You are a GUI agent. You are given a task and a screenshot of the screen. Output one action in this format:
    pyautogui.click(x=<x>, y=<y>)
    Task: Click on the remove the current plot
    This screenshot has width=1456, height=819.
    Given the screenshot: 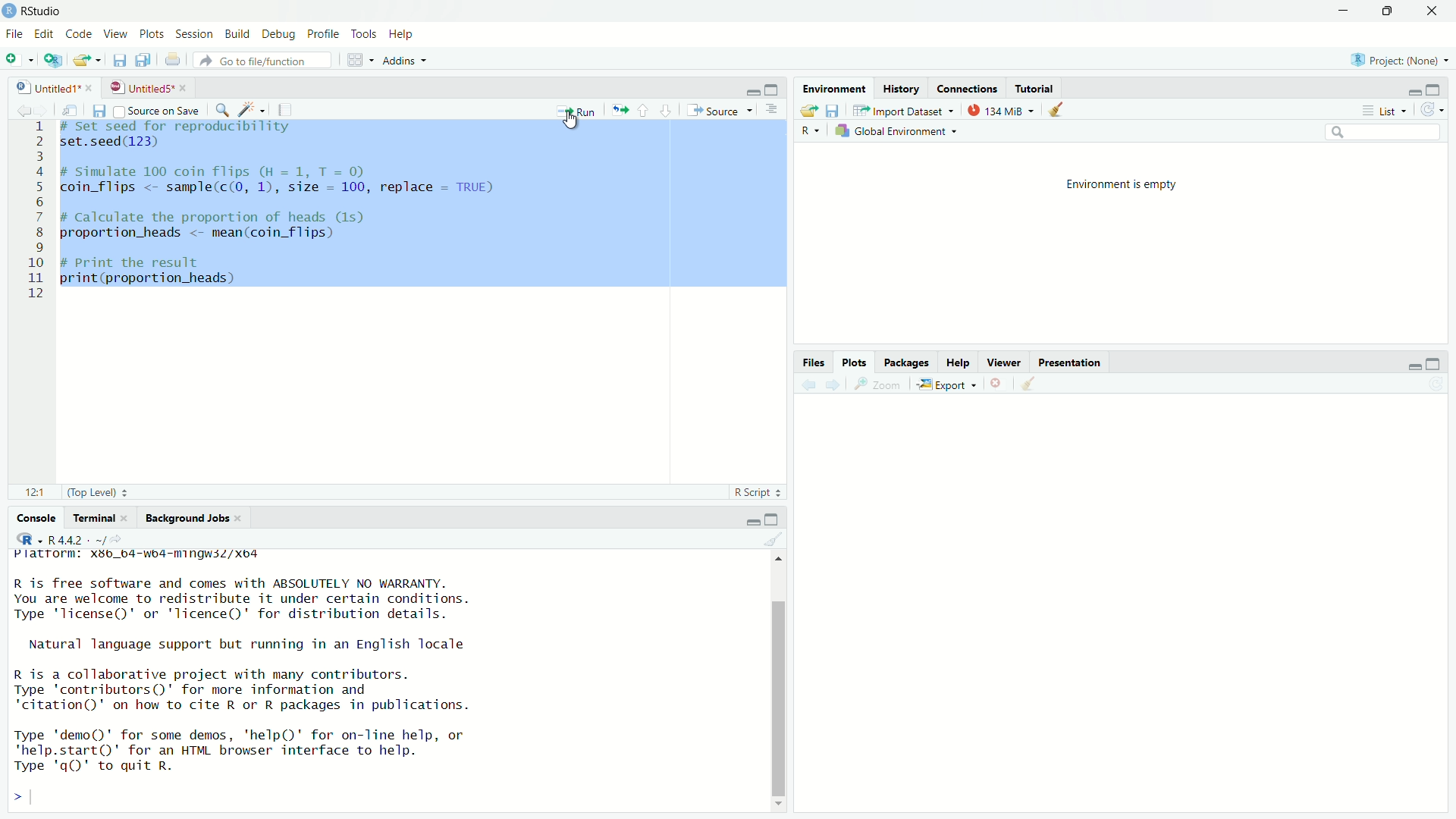 What is the action you would take?
    pyautogui.click(x=997, y=383)
    